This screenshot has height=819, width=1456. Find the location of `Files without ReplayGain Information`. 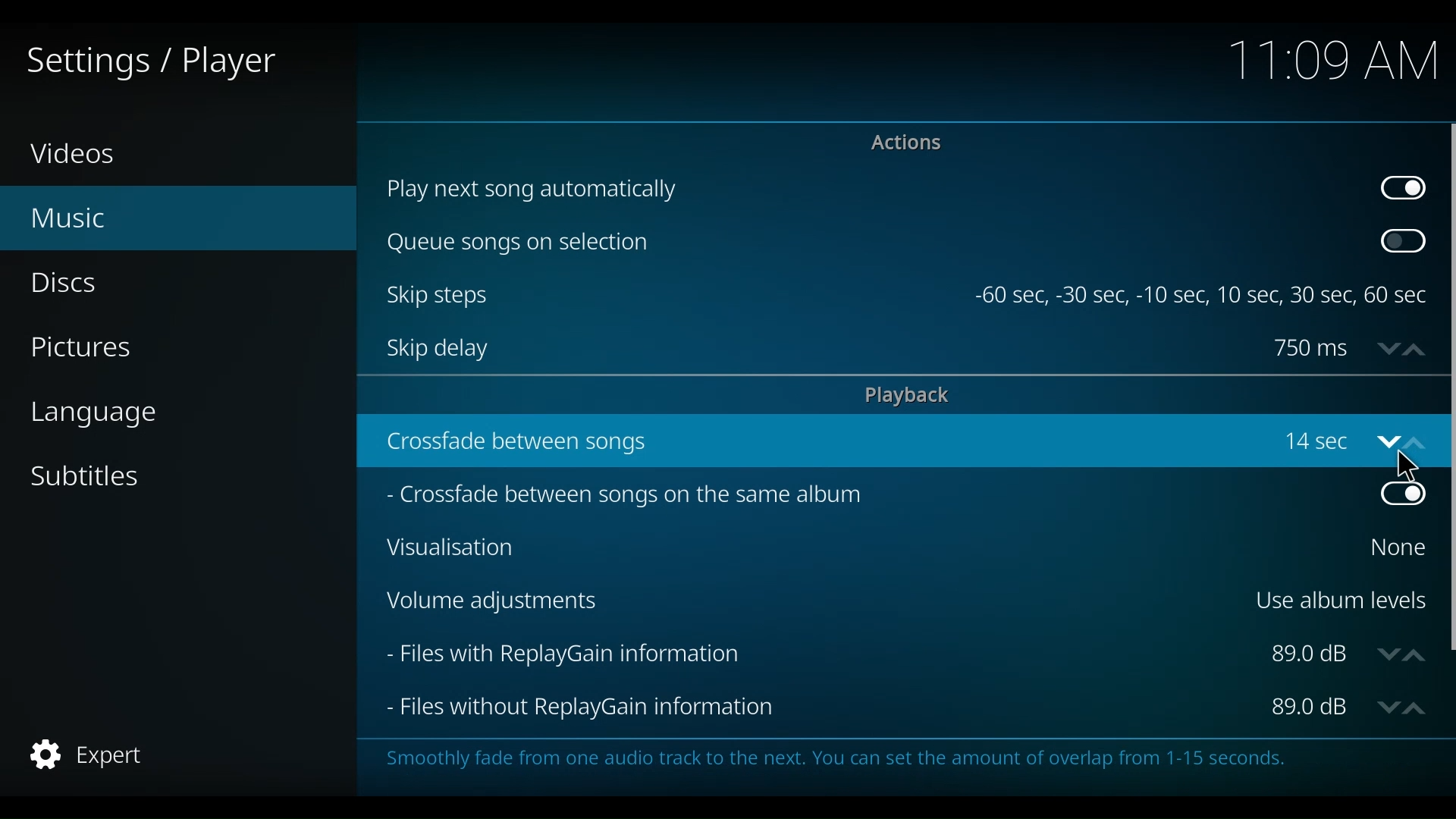

Files without ReplayGain Information is located at coordinates (821, 708).